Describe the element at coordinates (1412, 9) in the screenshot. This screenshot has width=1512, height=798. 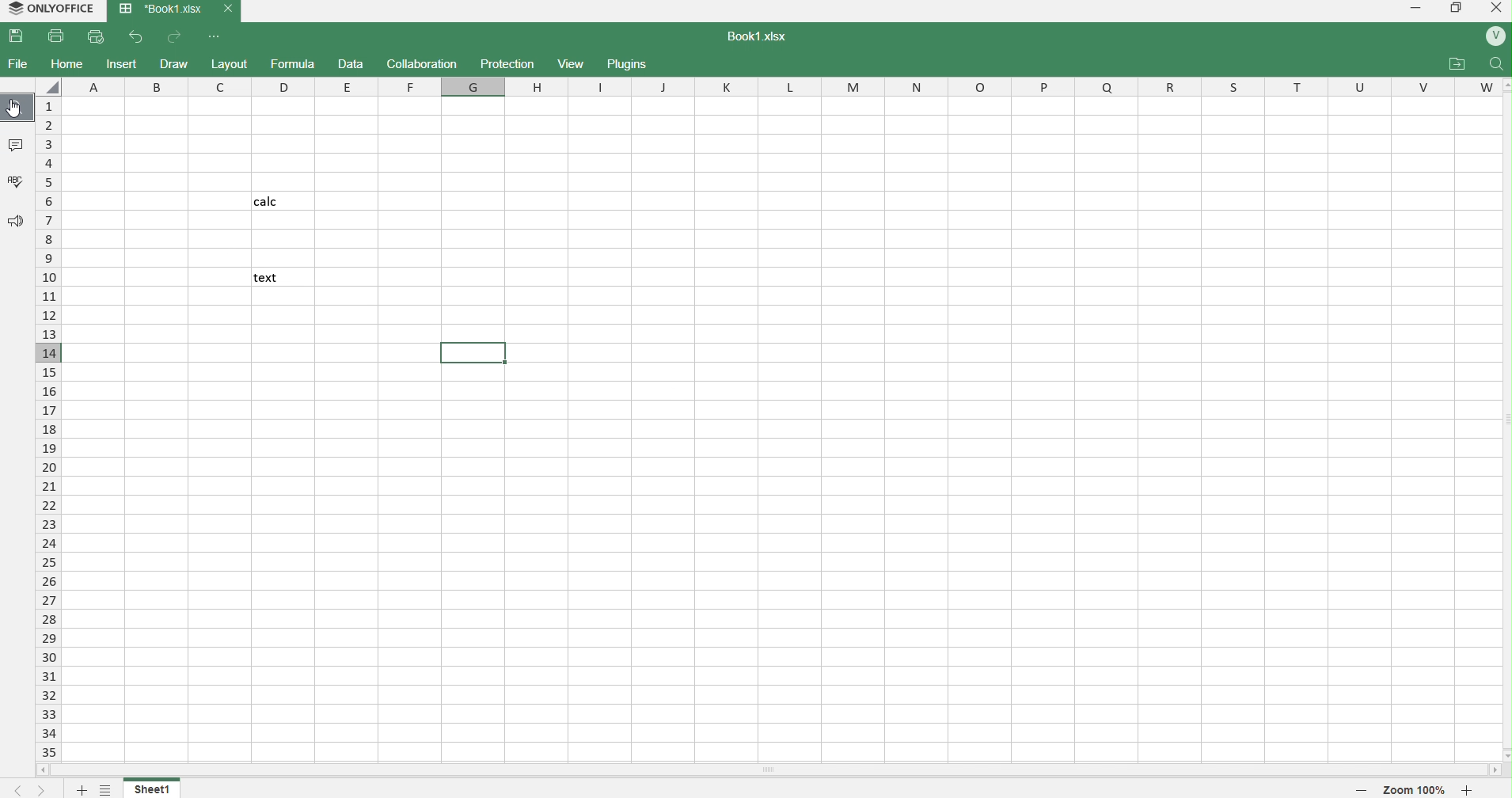
I see `minimize` at that location.